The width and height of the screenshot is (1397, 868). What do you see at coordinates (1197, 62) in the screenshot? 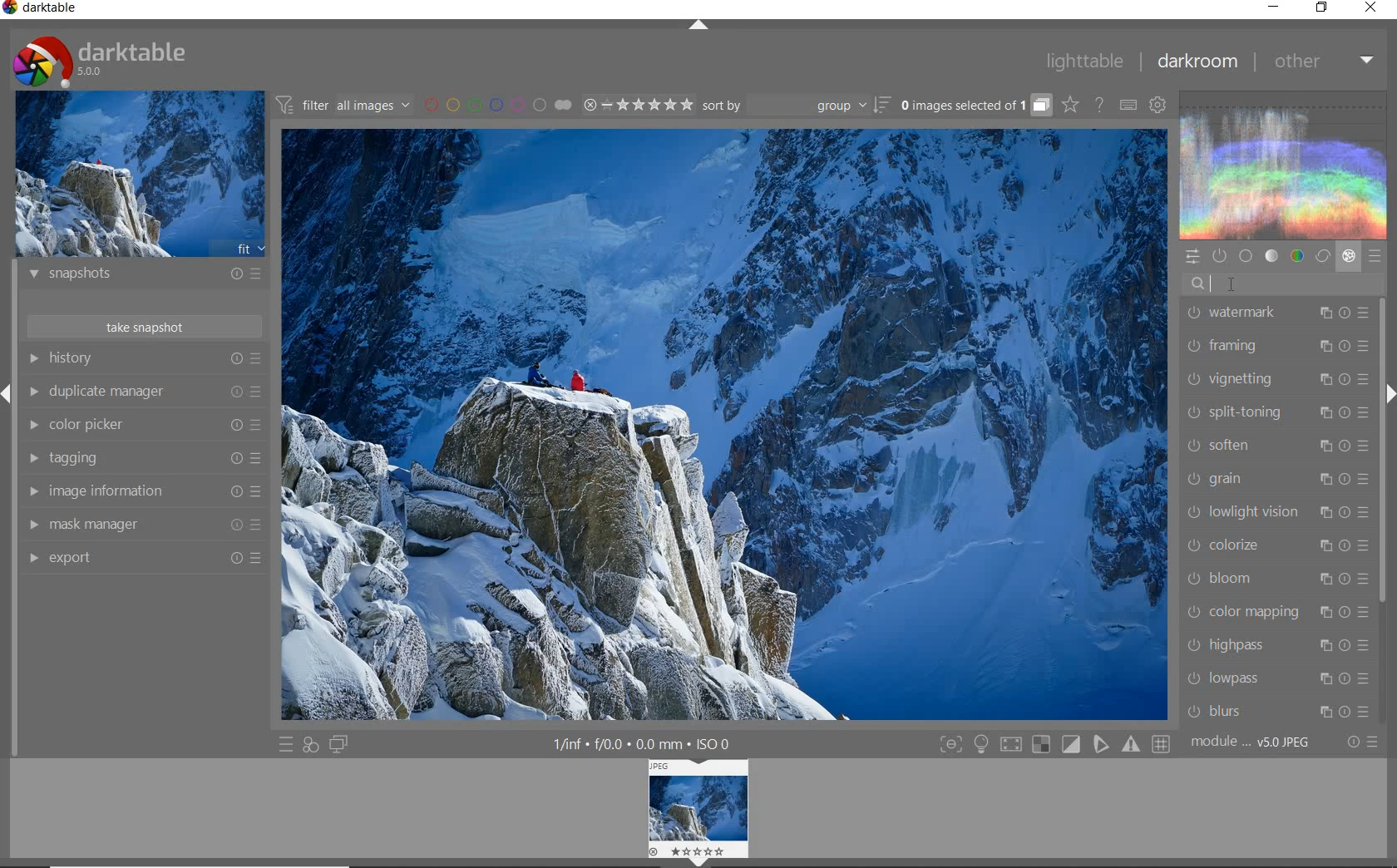
I see `darkroom` at bounding box center [1197, 62].